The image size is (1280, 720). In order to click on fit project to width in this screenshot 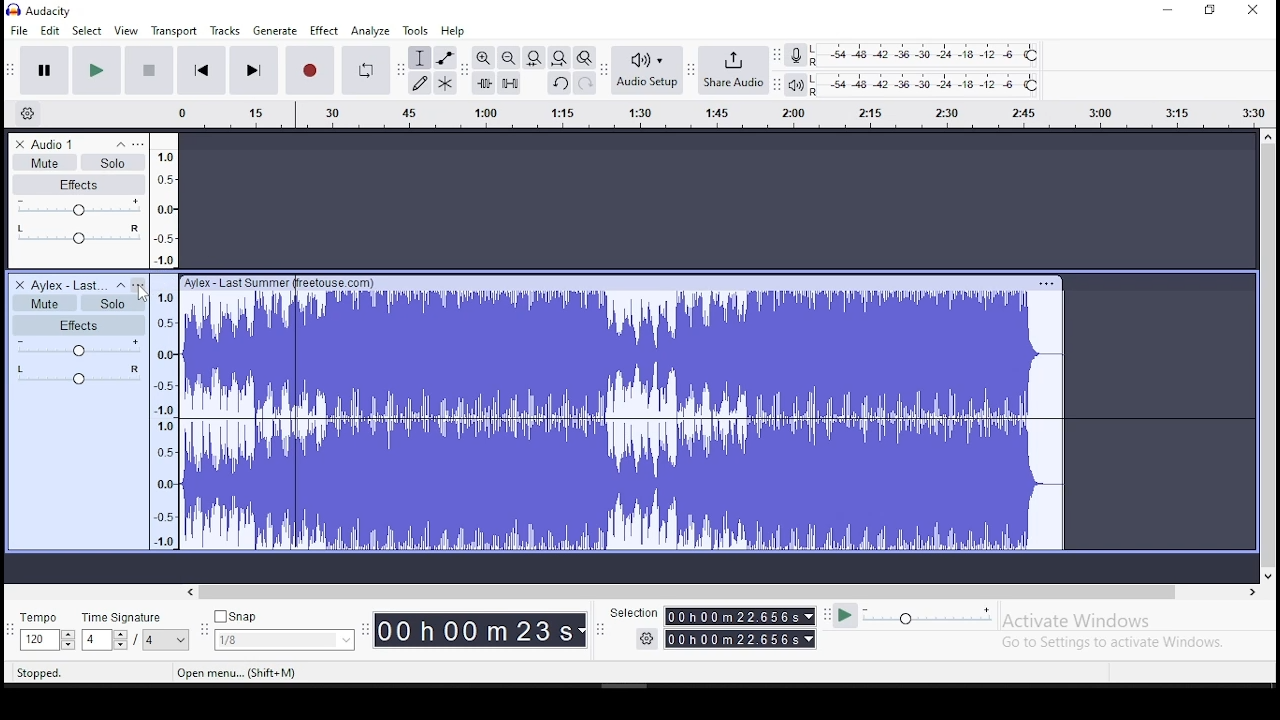, I will do `click(559, 57)`.